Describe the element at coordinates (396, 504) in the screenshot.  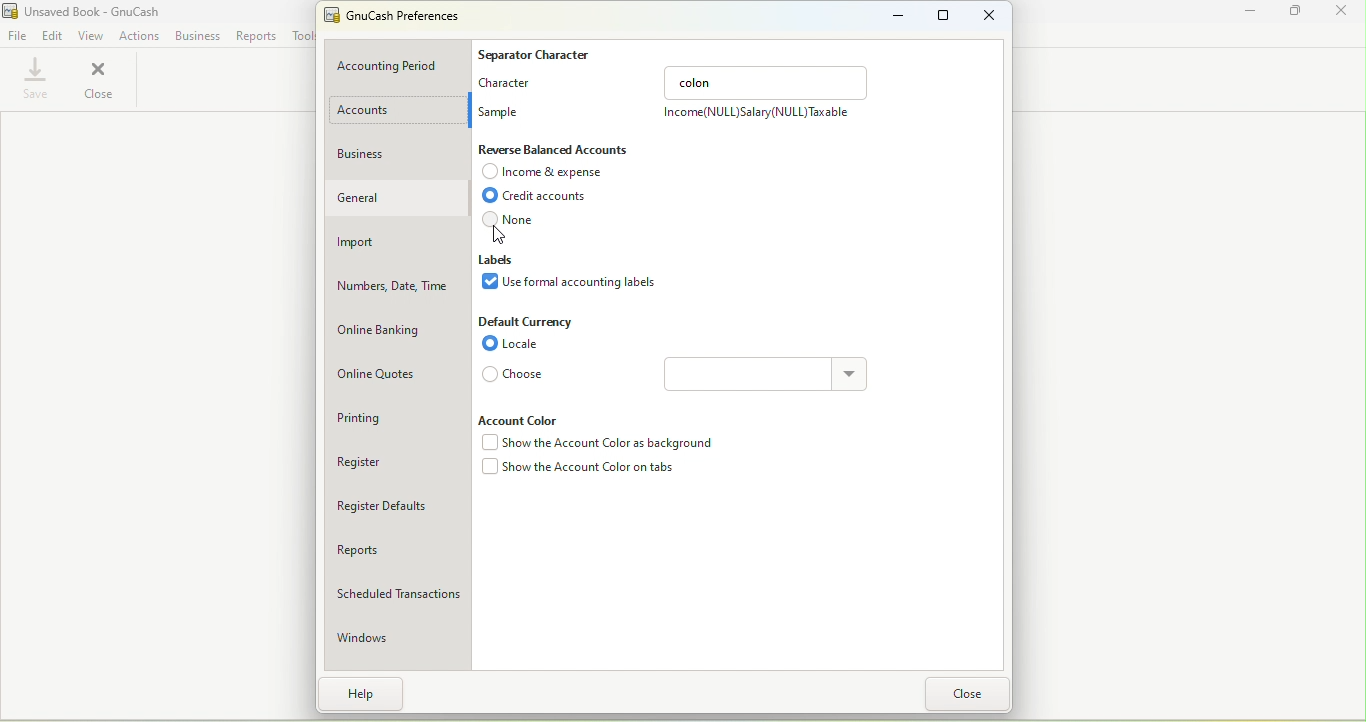
I see `Register defaults` at that location.